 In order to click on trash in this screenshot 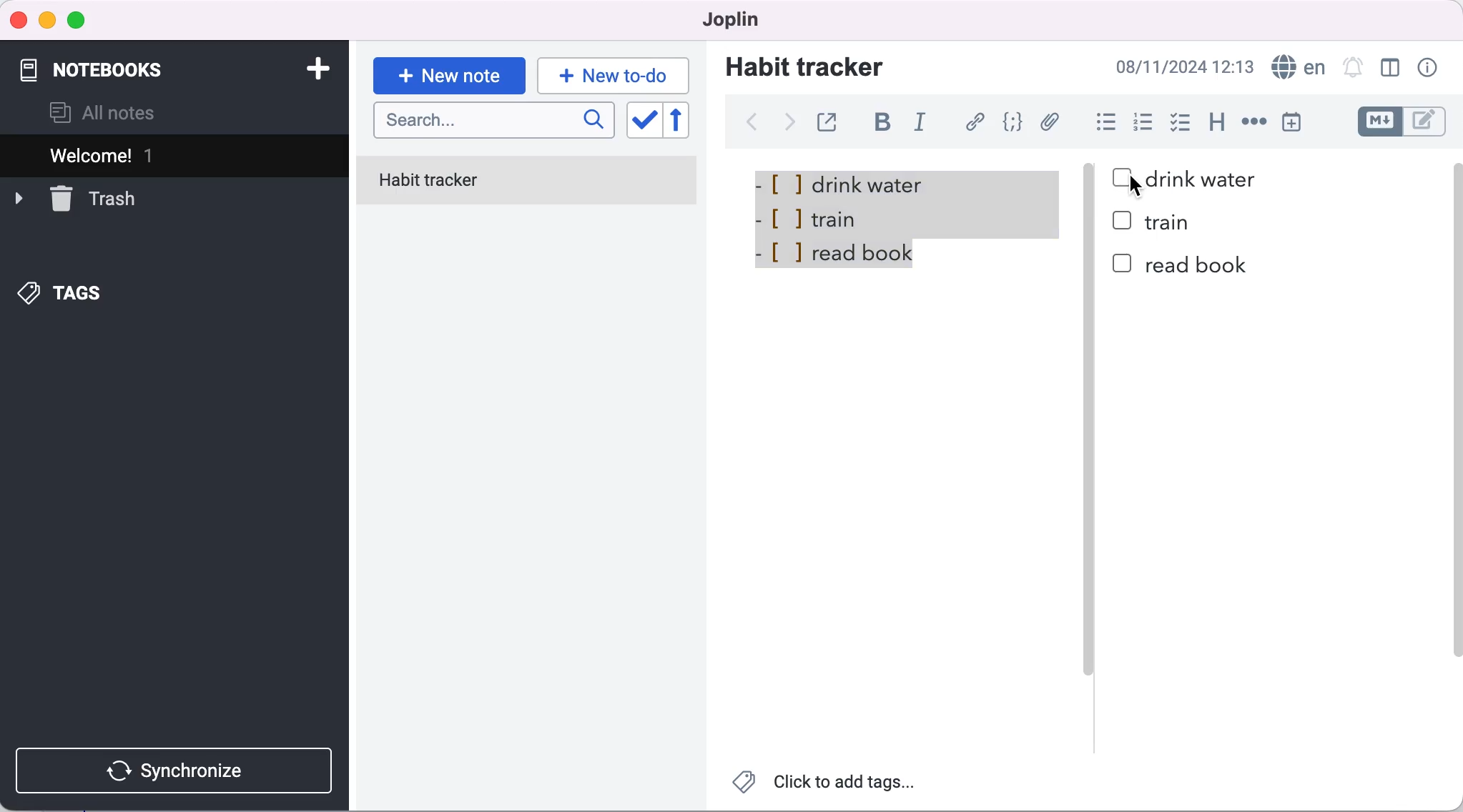, I will do `click(75, 197)`.